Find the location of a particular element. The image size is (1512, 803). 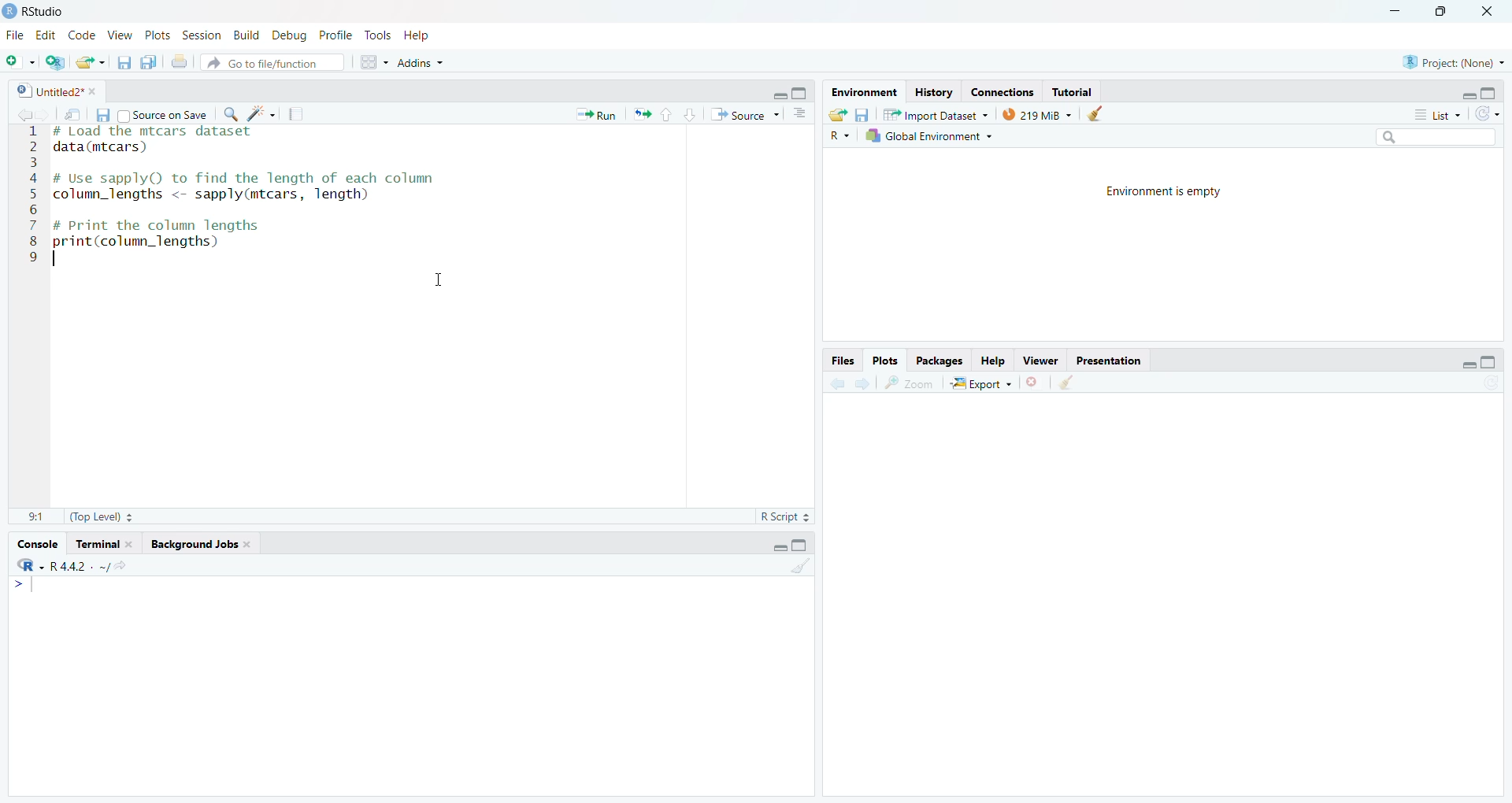

Workspace panes is located at coordinates (371, 61).